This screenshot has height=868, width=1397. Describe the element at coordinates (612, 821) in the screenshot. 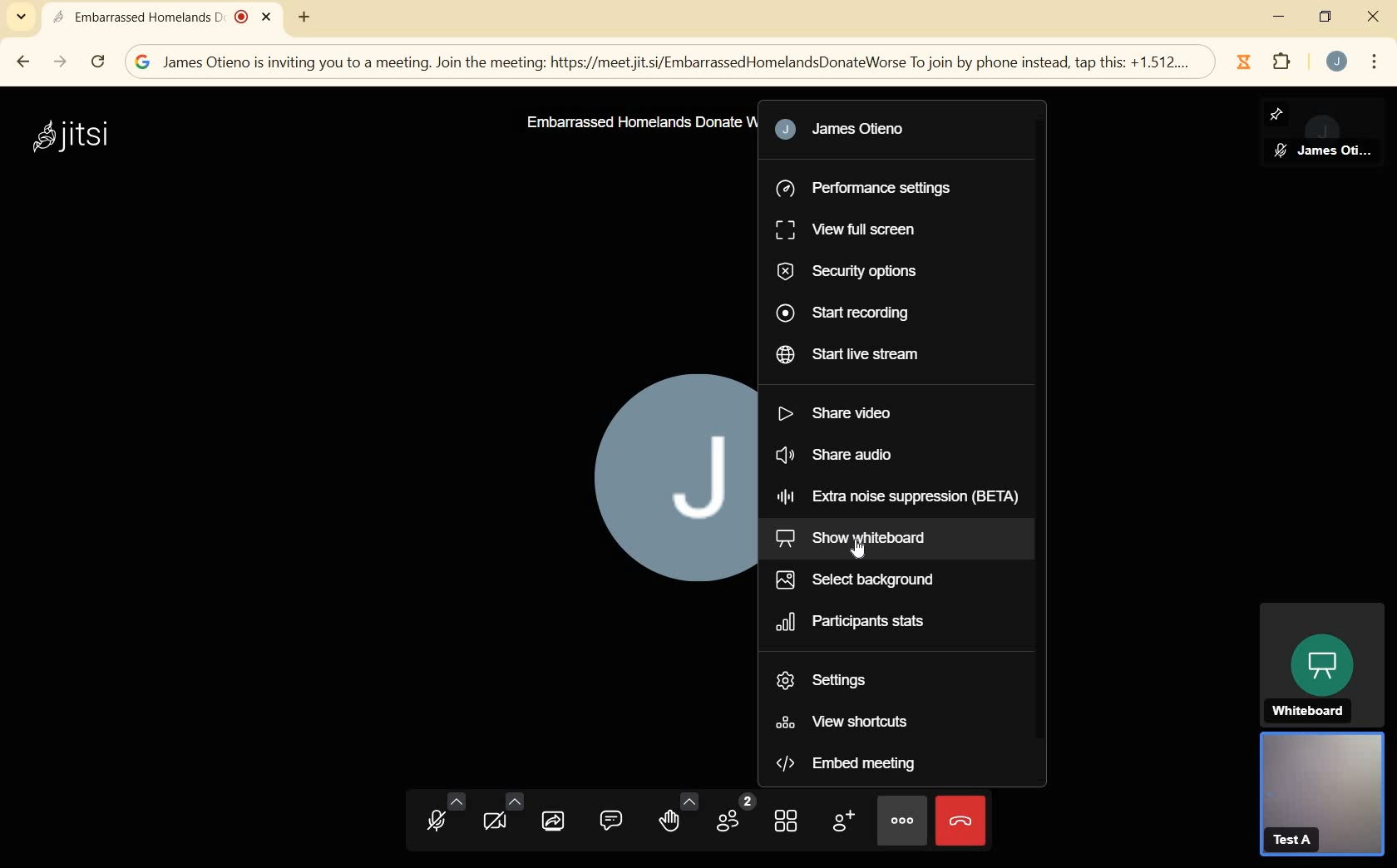

I see `open chat` at that location.